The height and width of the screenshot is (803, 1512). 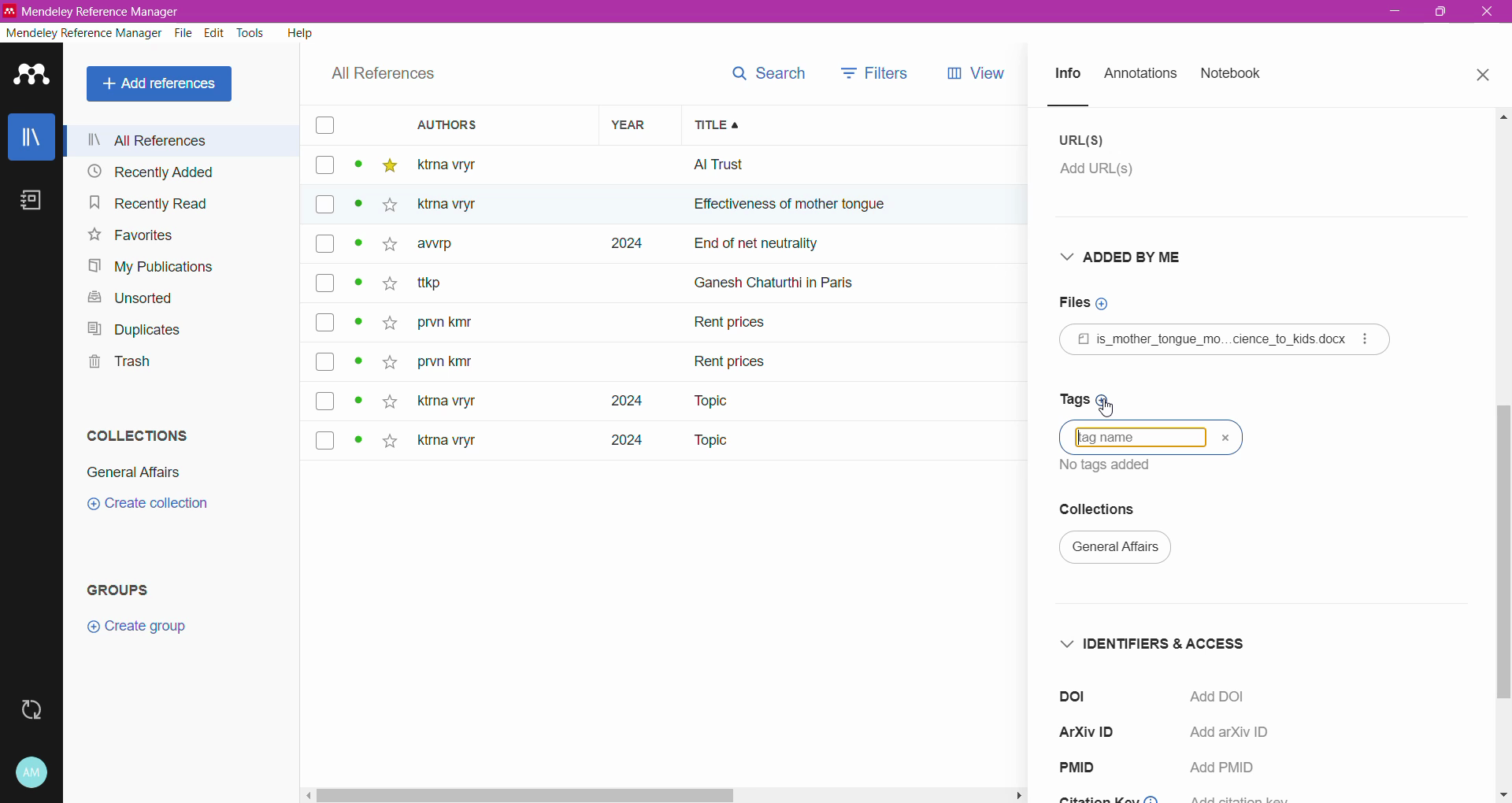 I want to click on star, so click(x=390, y=400).